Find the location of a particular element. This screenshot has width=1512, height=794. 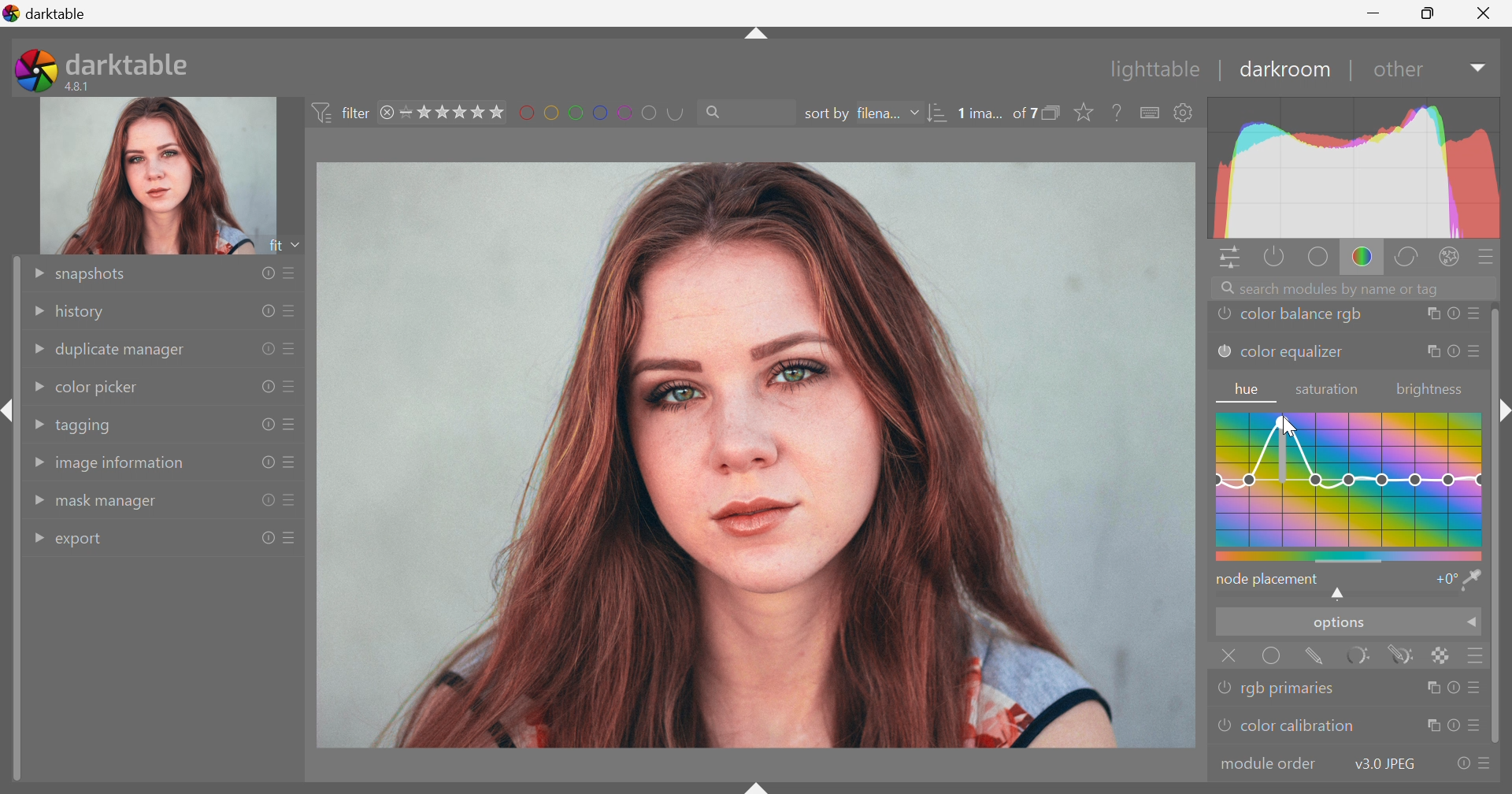

'color calibration' is switched off is located at coordinates (1221, 728).